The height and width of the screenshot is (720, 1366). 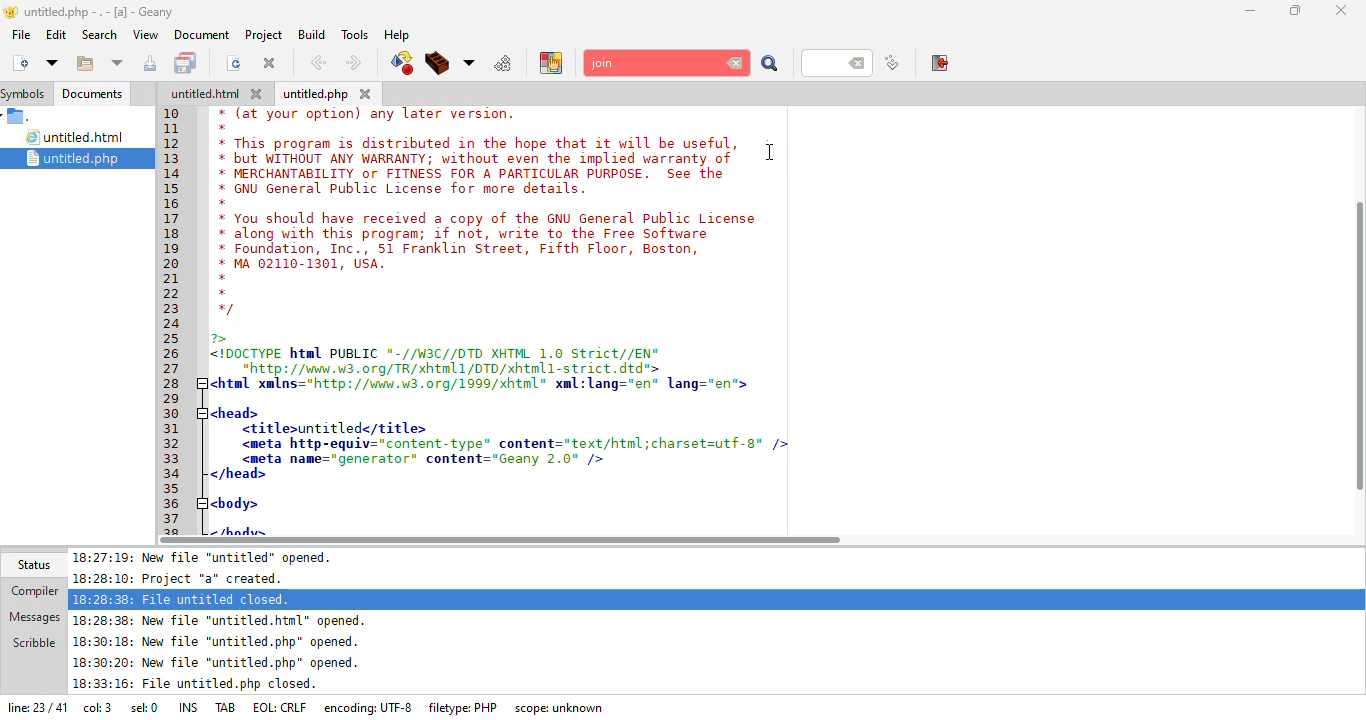 I want to click on untitled.php-.-[a]-Geany, so click(x=92, y=12).